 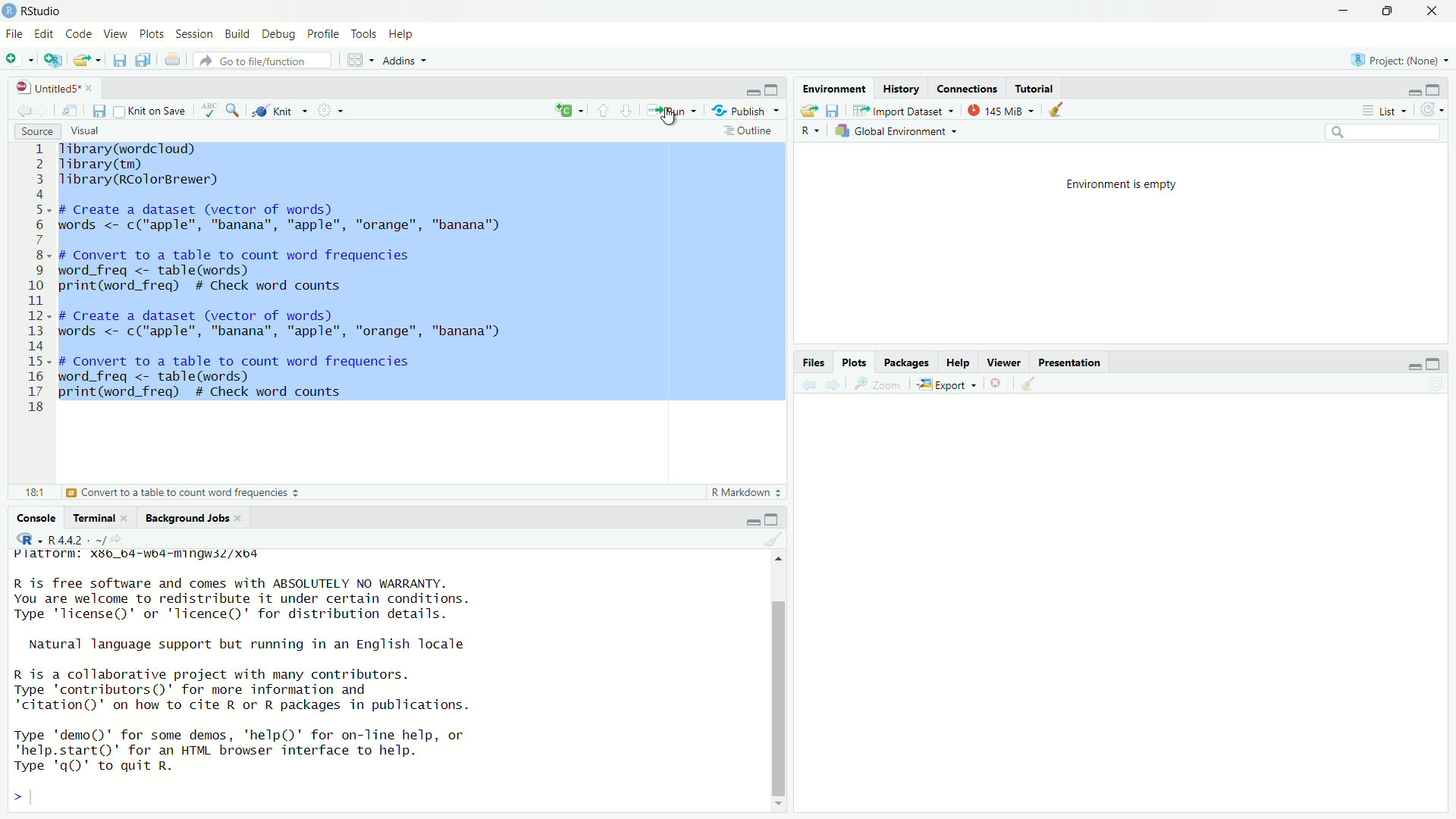 I want to click on Convert to a table to count word frequencies, so click(x=184, y=491).